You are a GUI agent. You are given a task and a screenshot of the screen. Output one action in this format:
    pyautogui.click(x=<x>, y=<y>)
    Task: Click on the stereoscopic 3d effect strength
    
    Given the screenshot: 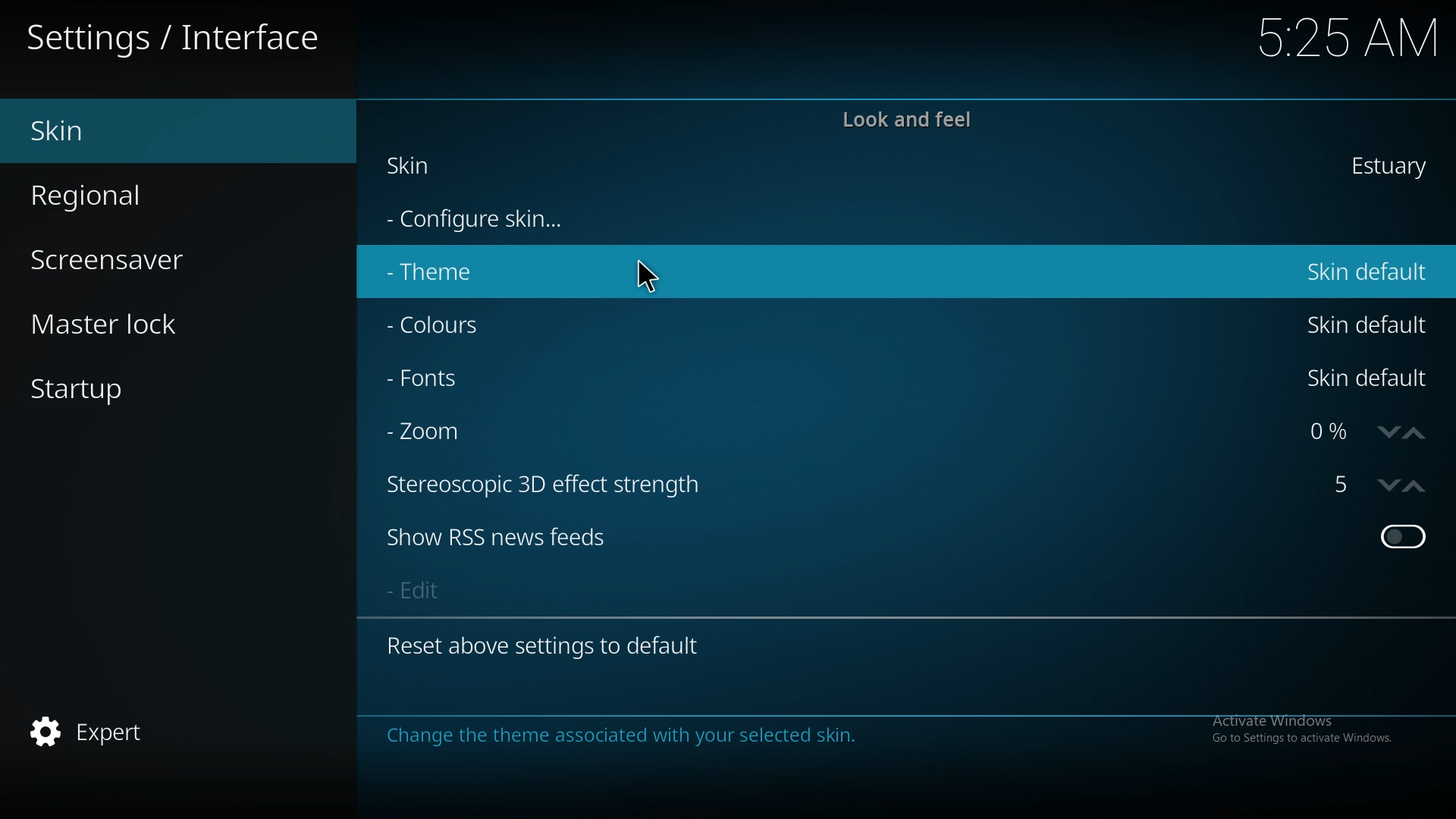 What is the action you would take?
    pyautogui.click(x=560, y=482)
    